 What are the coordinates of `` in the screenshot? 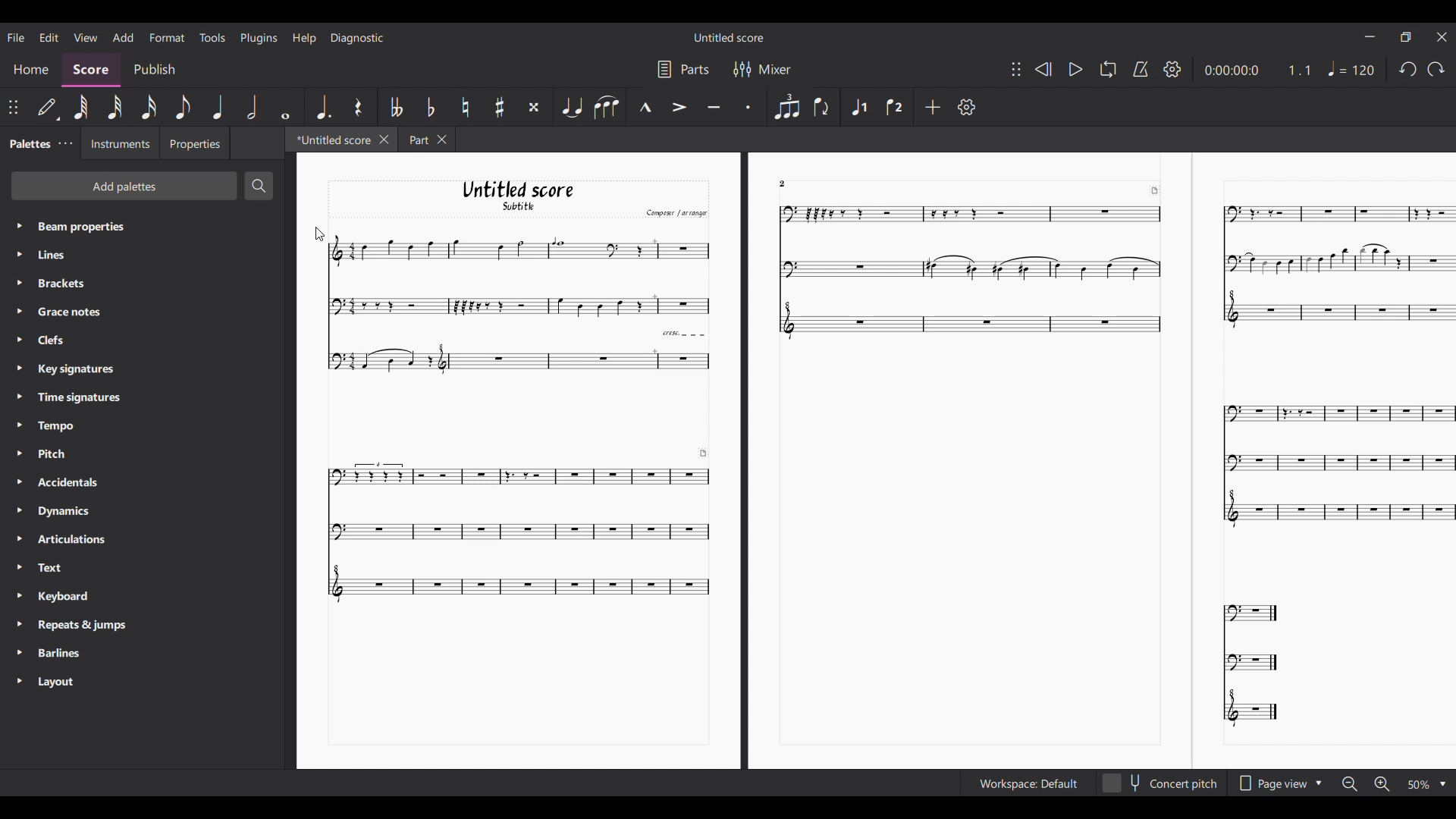 It's located at (17, 253).